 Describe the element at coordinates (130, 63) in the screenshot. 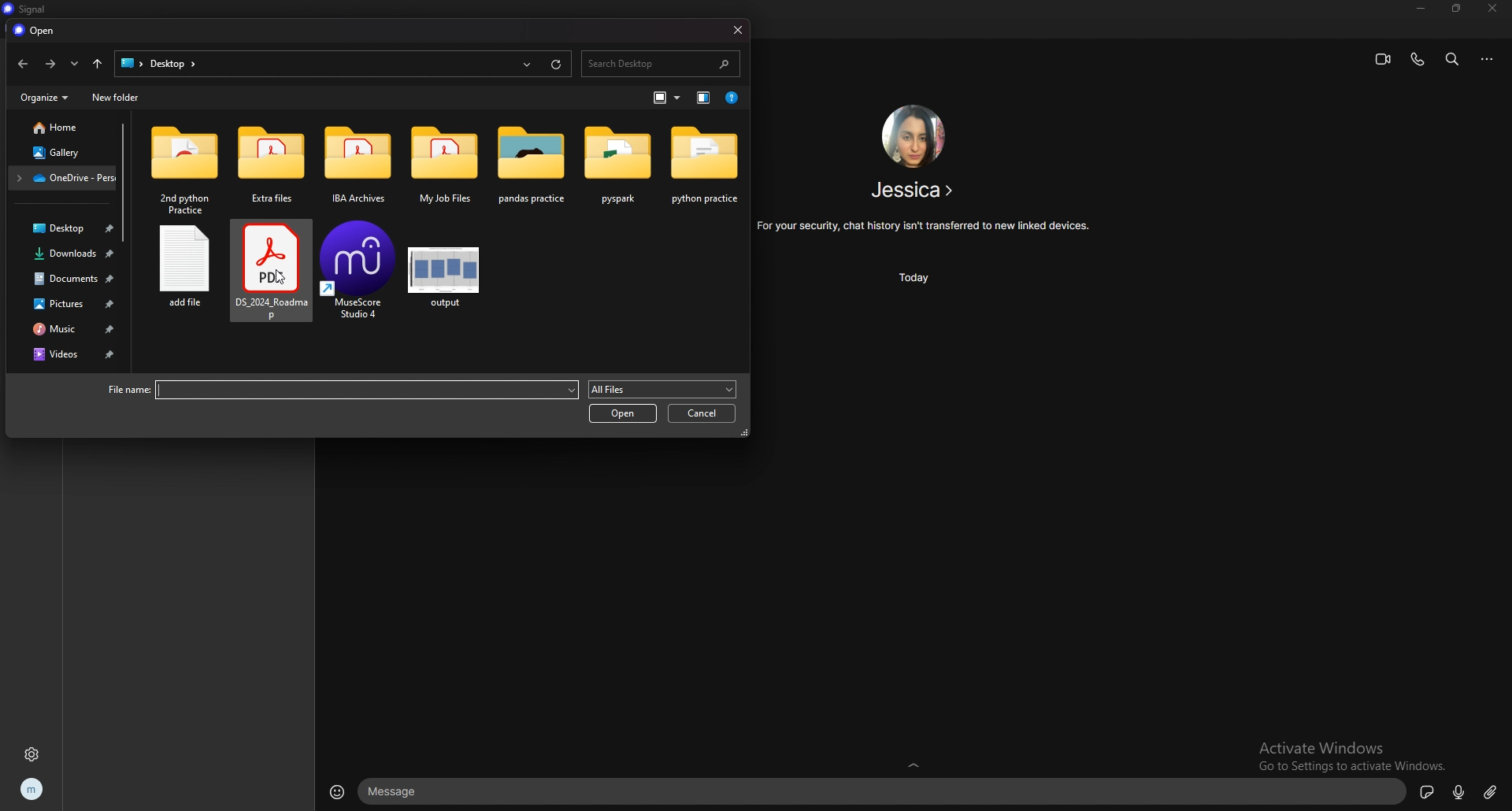

I see `desktop` at that location.